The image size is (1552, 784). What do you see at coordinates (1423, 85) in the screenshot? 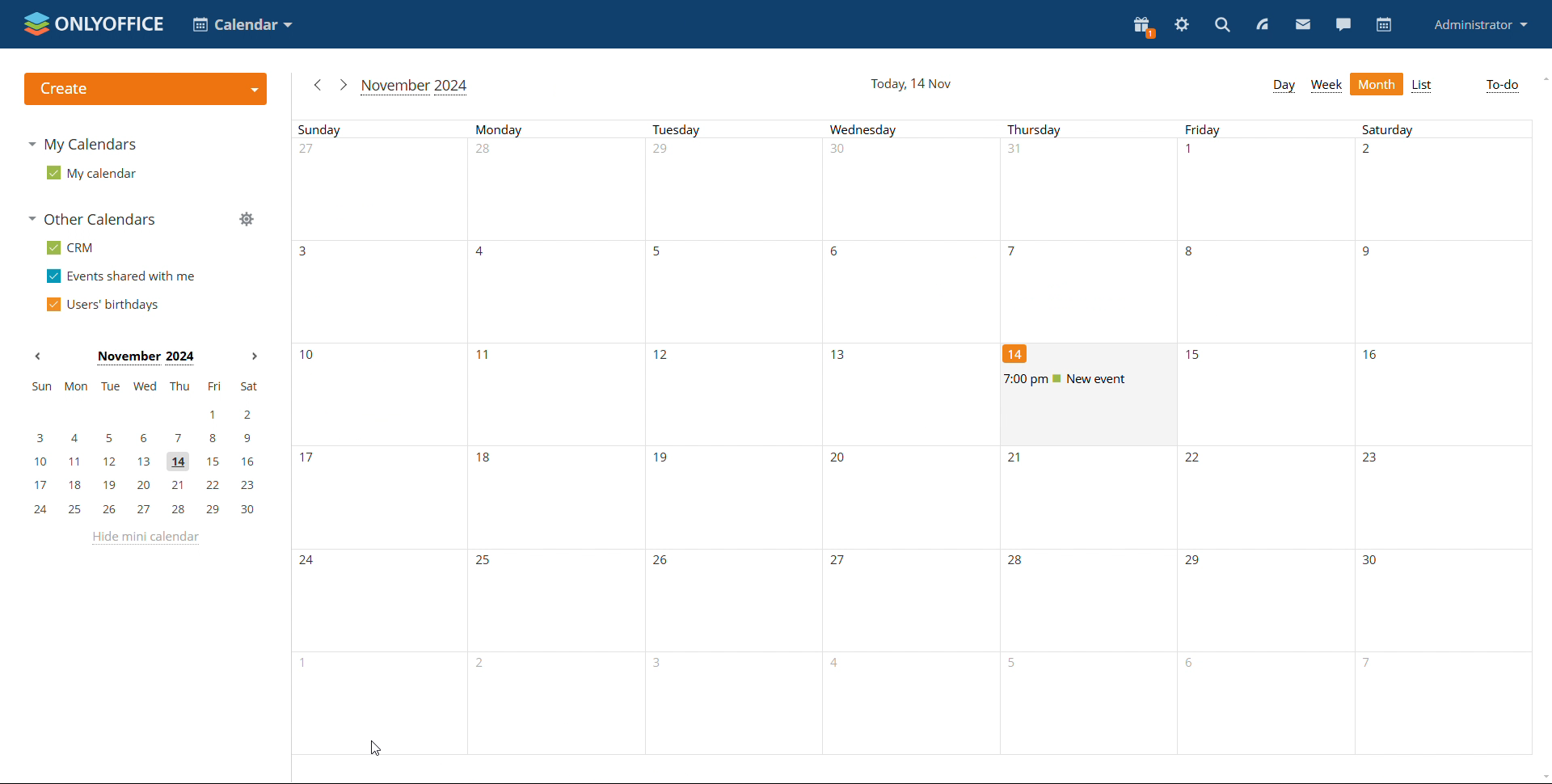
I see `list view` at bounding box center [1423, 85].